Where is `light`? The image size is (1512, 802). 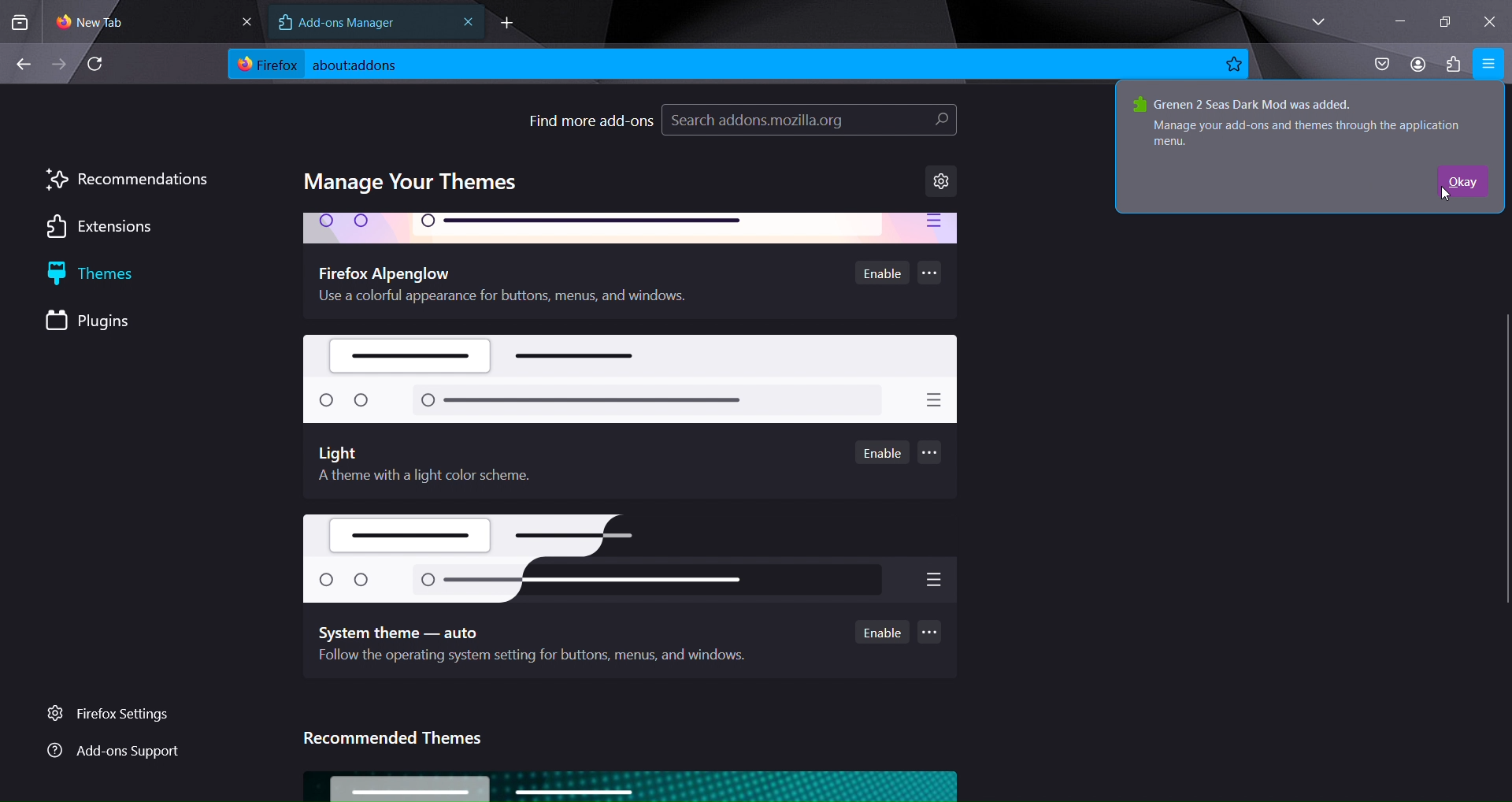 light is located at coordinates (633, 379).